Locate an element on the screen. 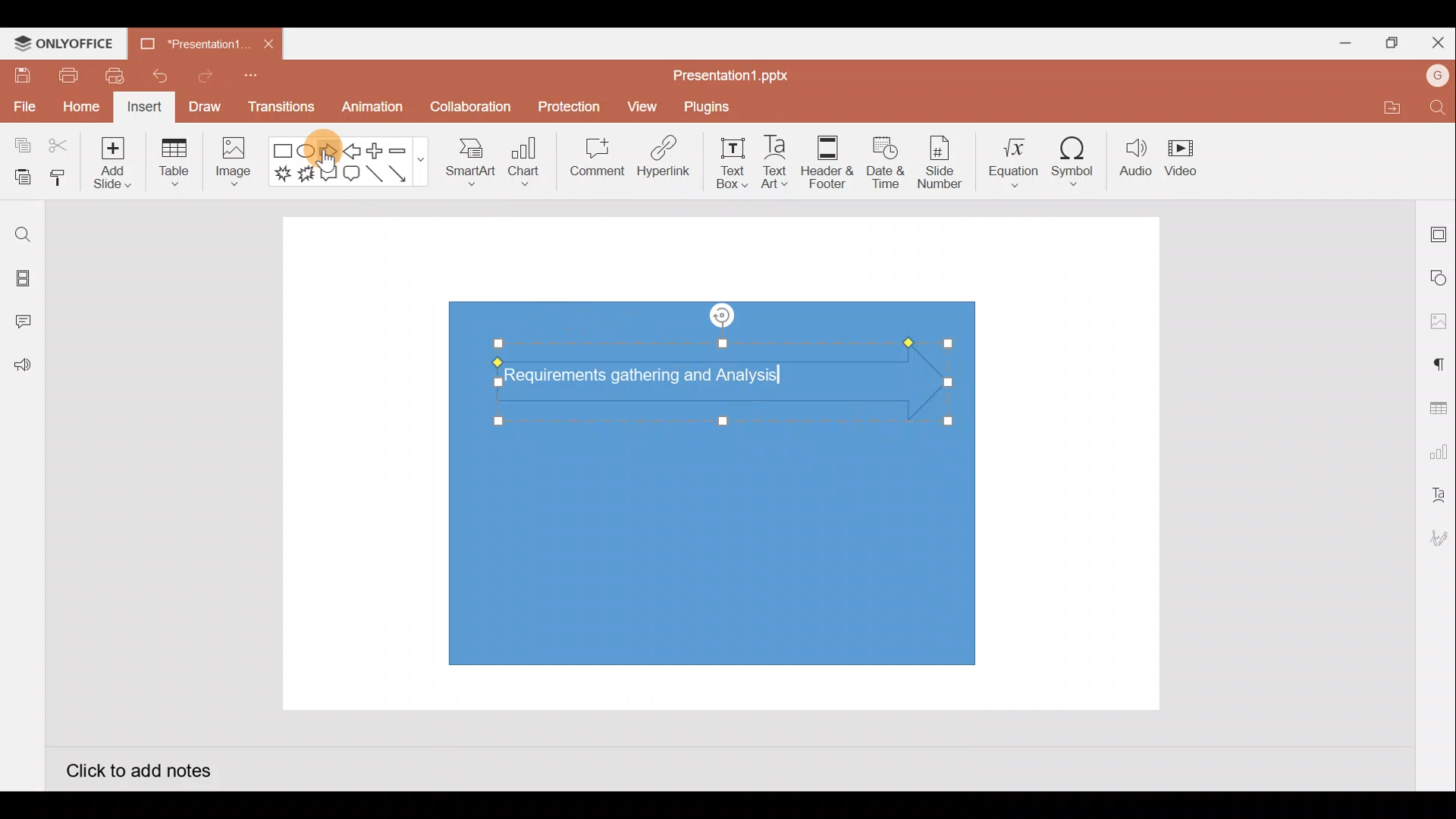 Image resolution: width=1456 pixels, height=819 pixels. Table is located at coordinates (176, 164).